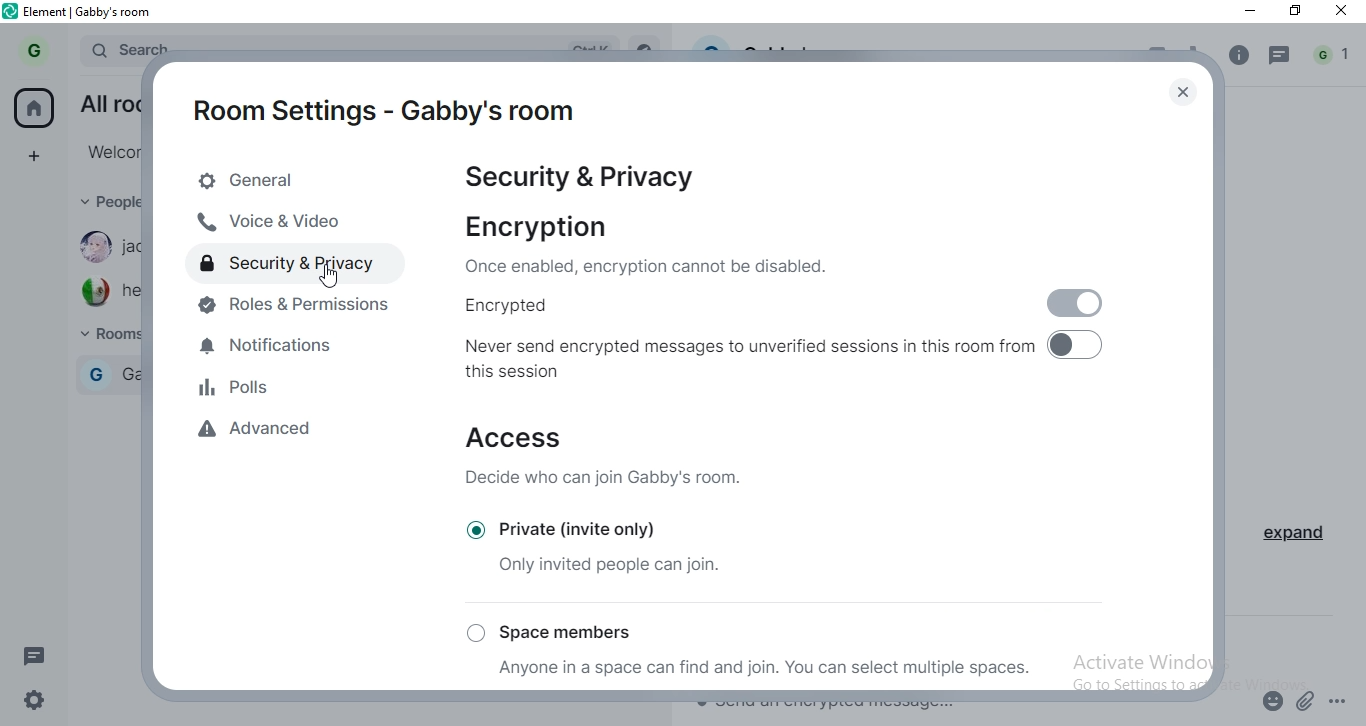 The height and width of the screenshot is (726, 1366). What do you see at coordinates (717, 308) in the screenshot?
I see `encrypted` at bounding box center [717, 308].